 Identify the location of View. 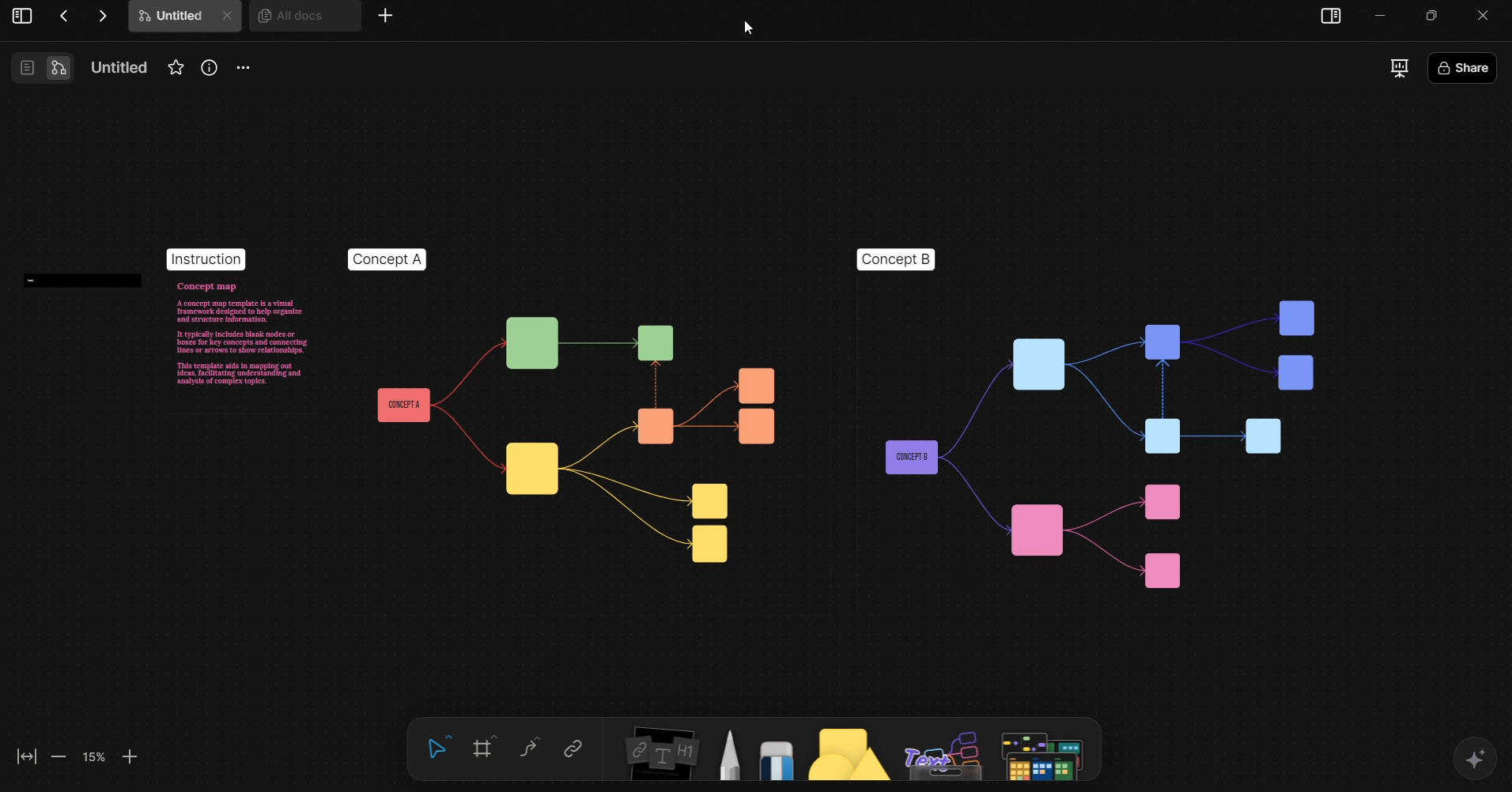
(40, 67).